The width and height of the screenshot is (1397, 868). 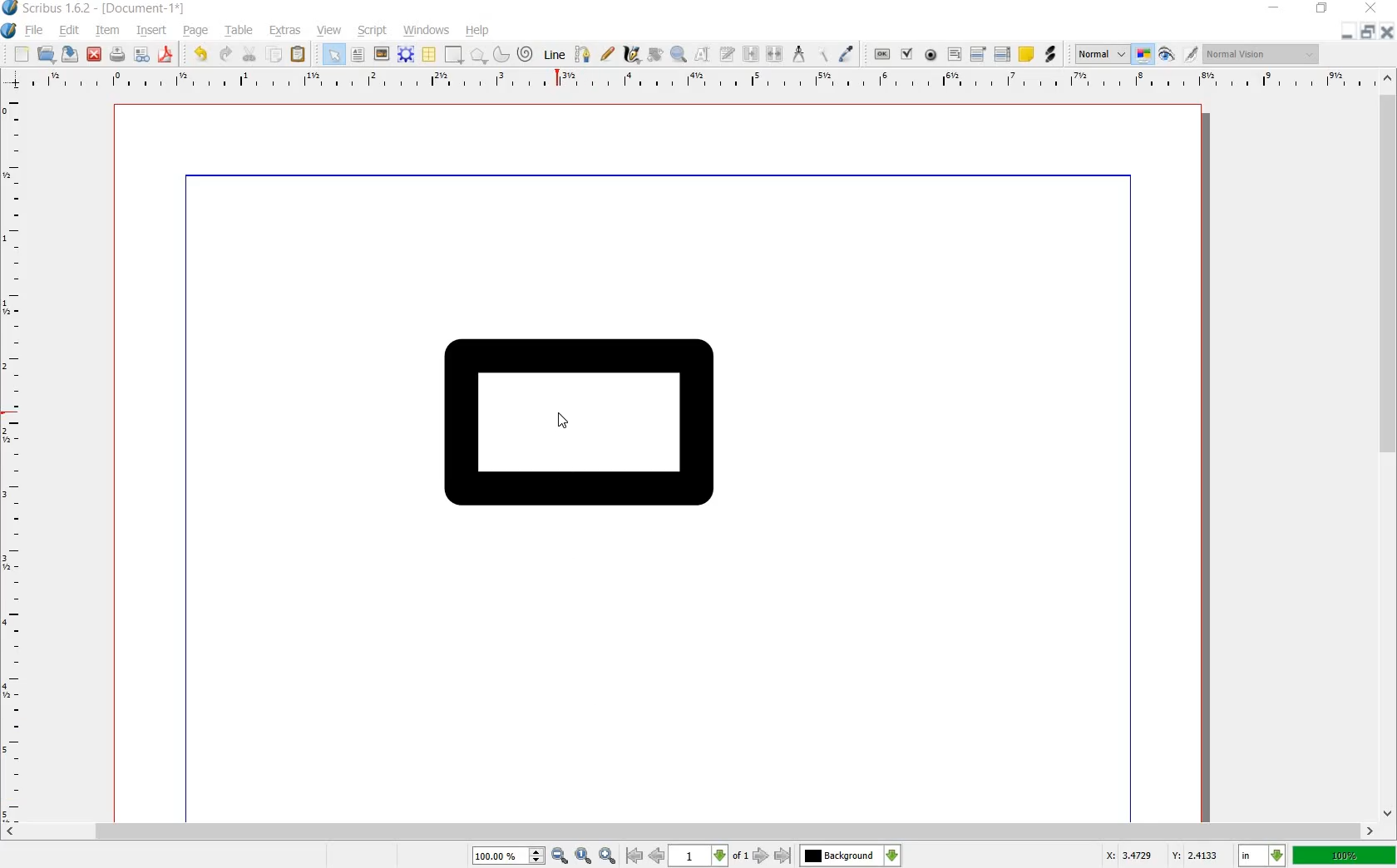 What do you see at coordinates (822, 53) in the screenshot?
I see `copy item properties` at bounding box center [822, 53].